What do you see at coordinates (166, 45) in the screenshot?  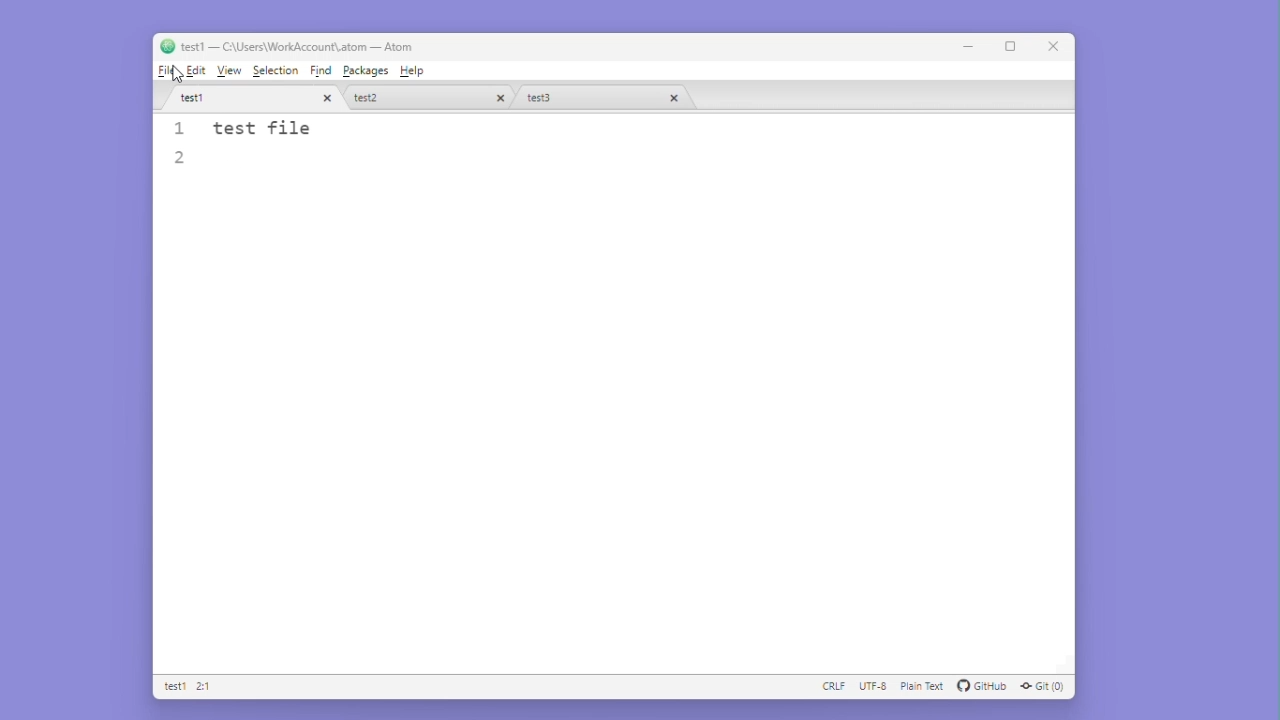 I see `atom logo` at bounding box center [166, 45].